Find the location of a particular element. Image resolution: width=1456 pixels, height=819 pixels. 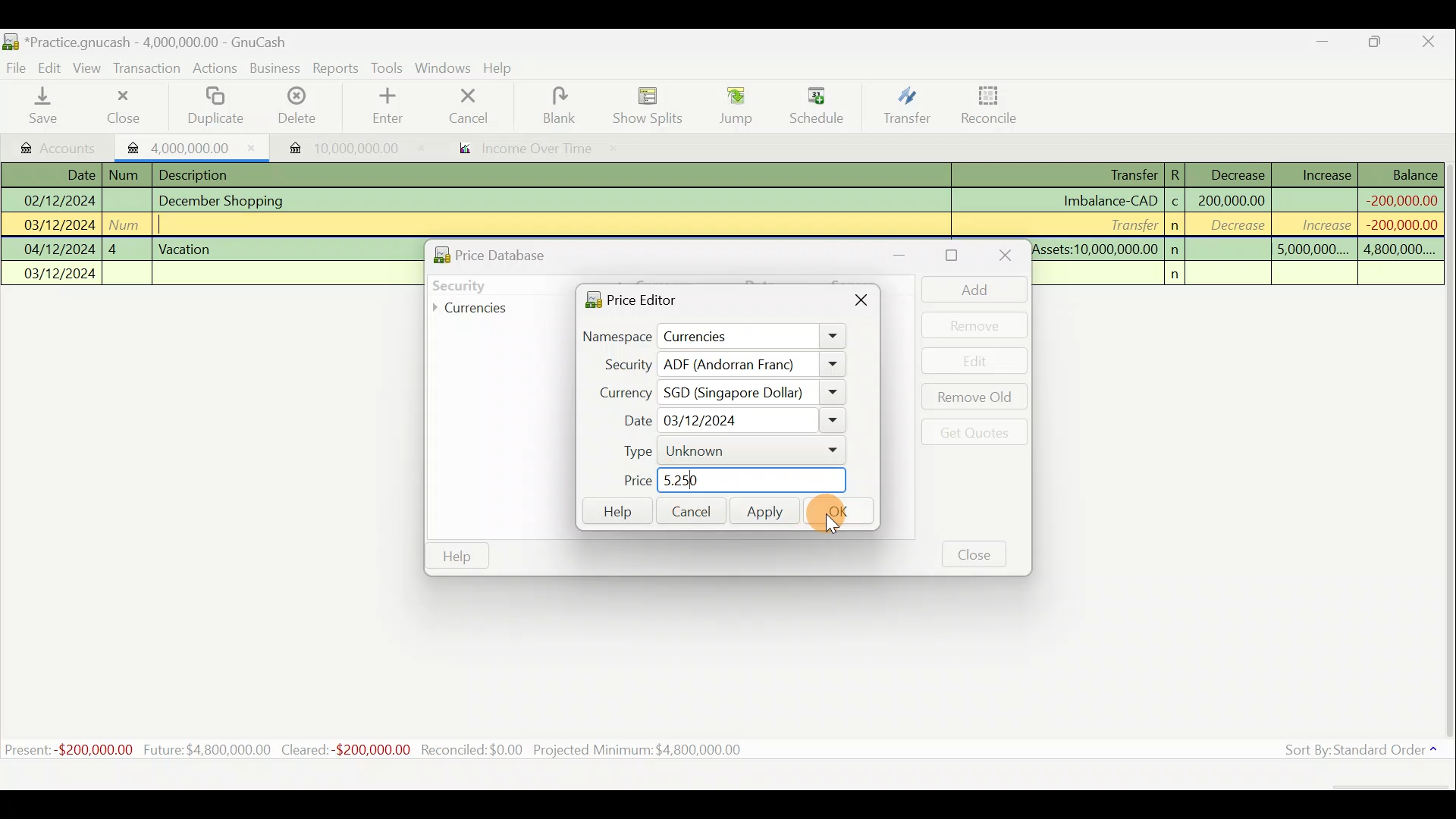

Maximise is located at coordinates (1384, 44).